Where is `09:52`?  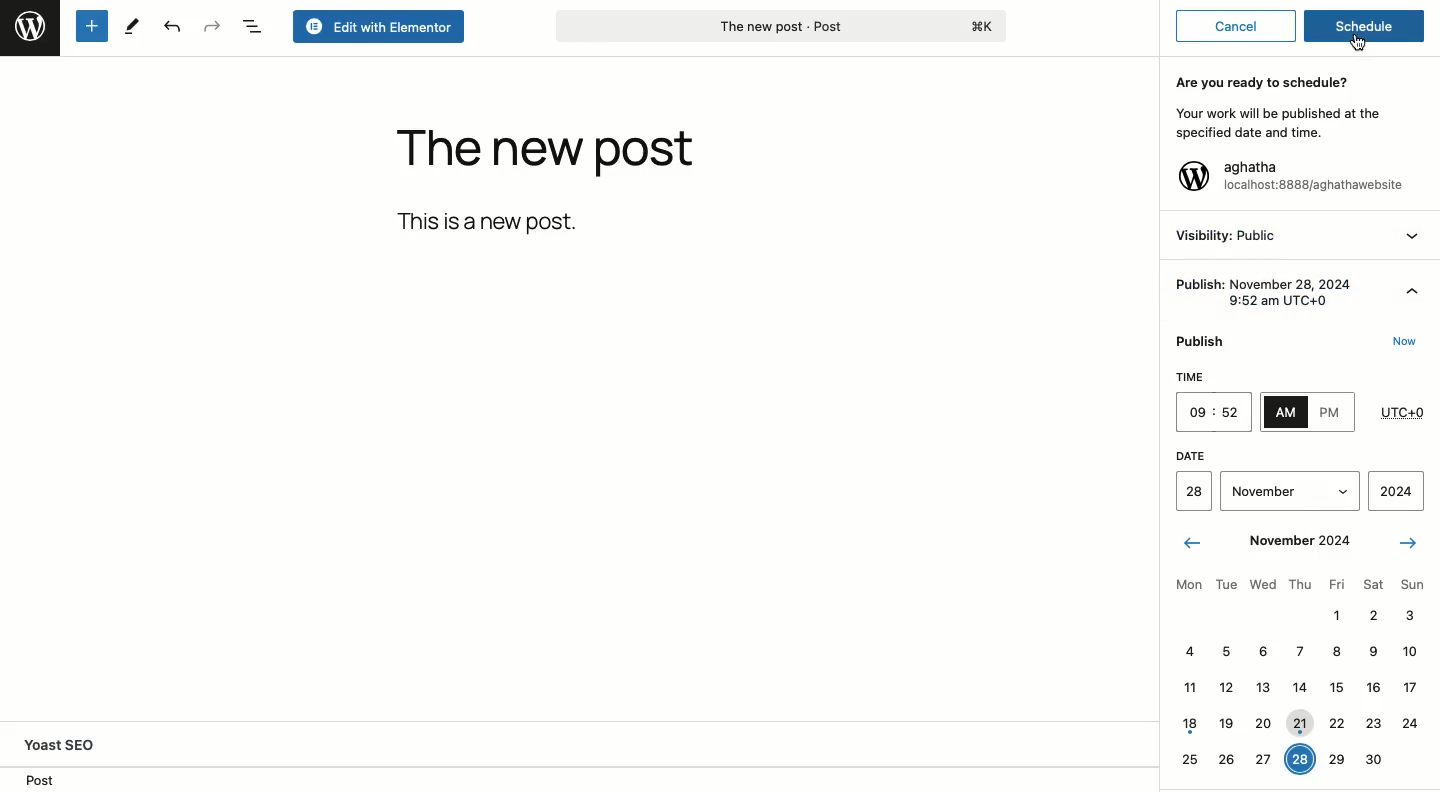 09:52 is located at coordinates (1214, 414).